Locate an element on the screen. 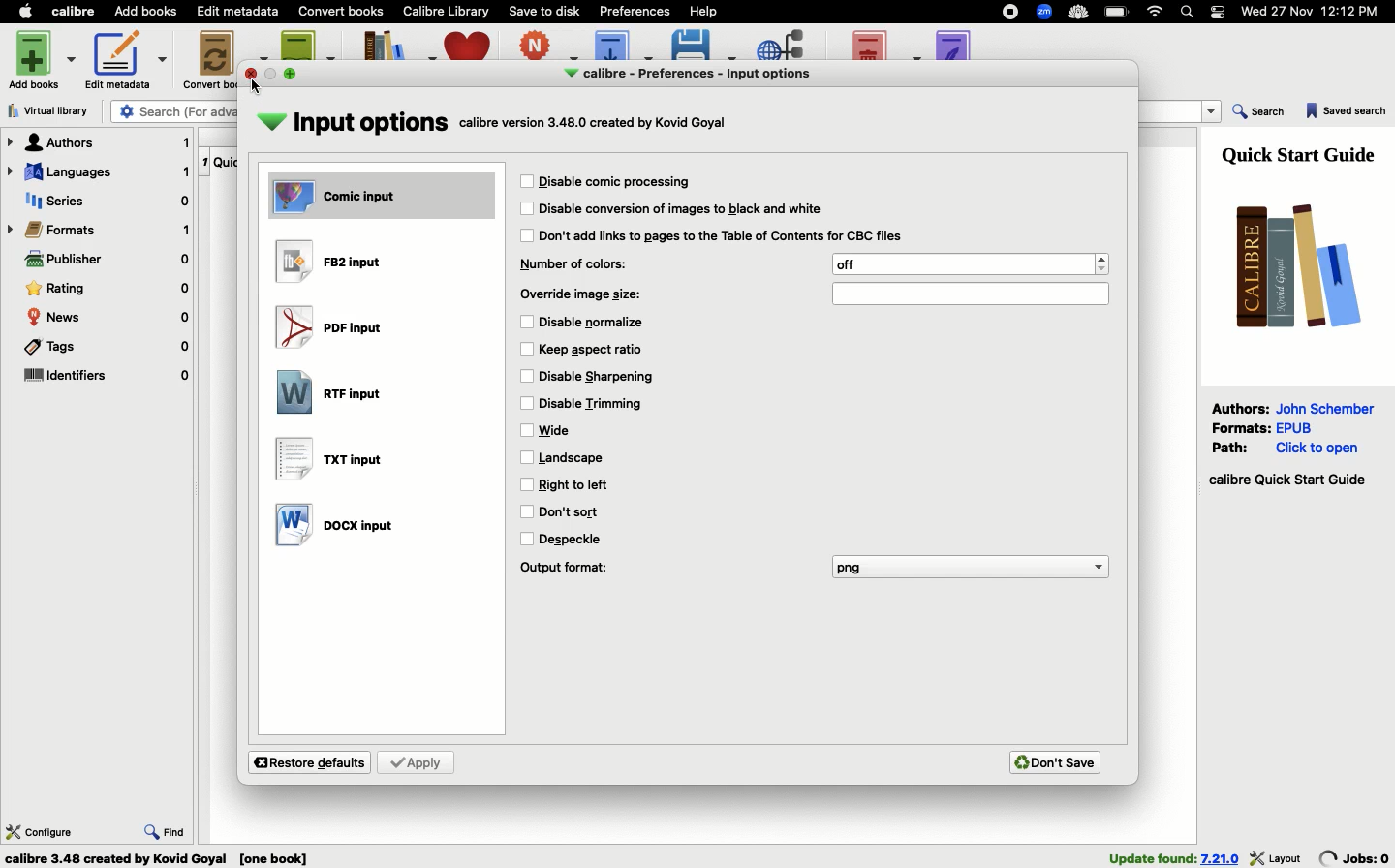  Checkbox is located at coordinates (528, 377).